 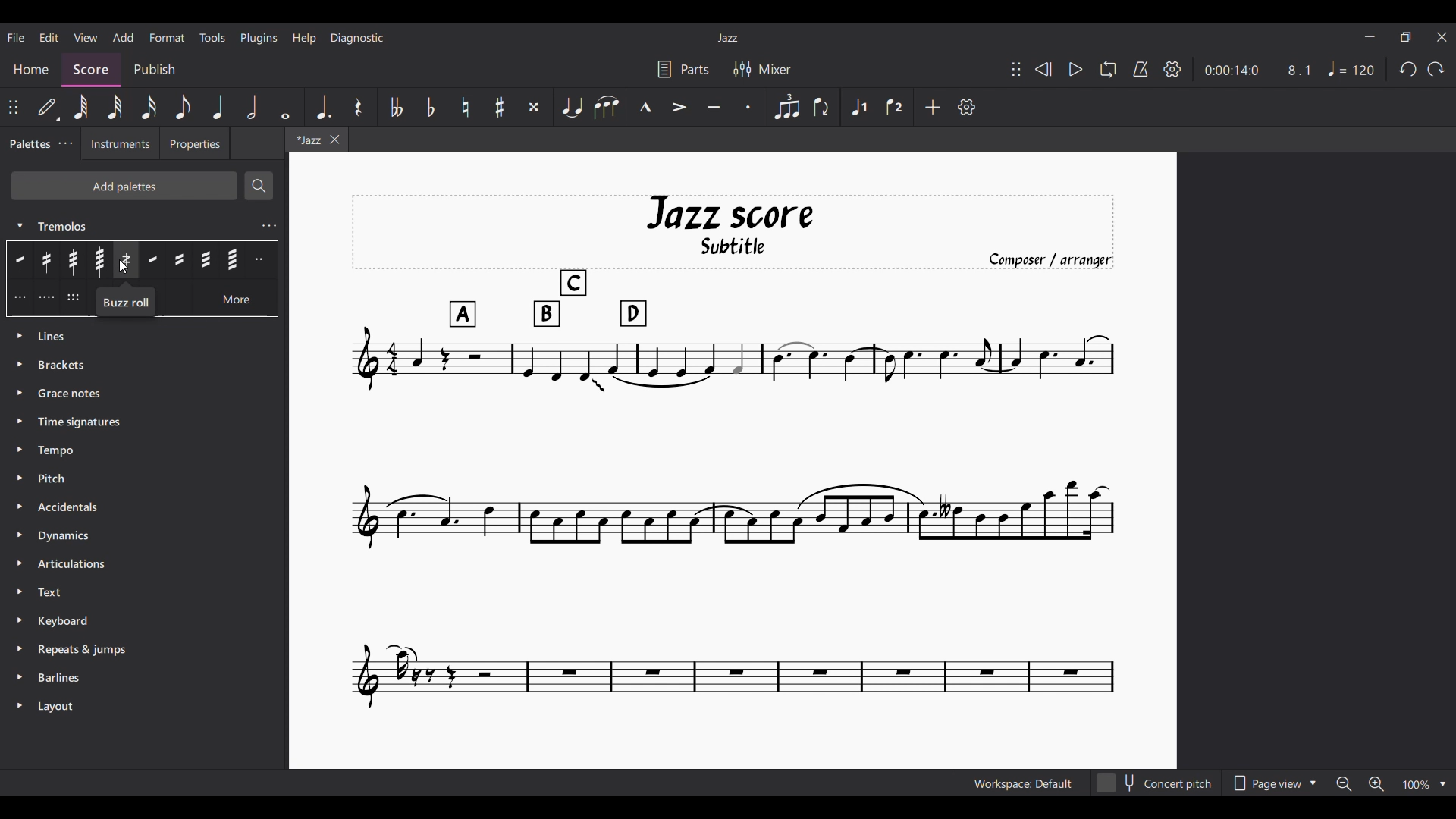 What do you see at coordinates (237, 297) in the screenshot?
I see `More` at bounding box center [237, 297].